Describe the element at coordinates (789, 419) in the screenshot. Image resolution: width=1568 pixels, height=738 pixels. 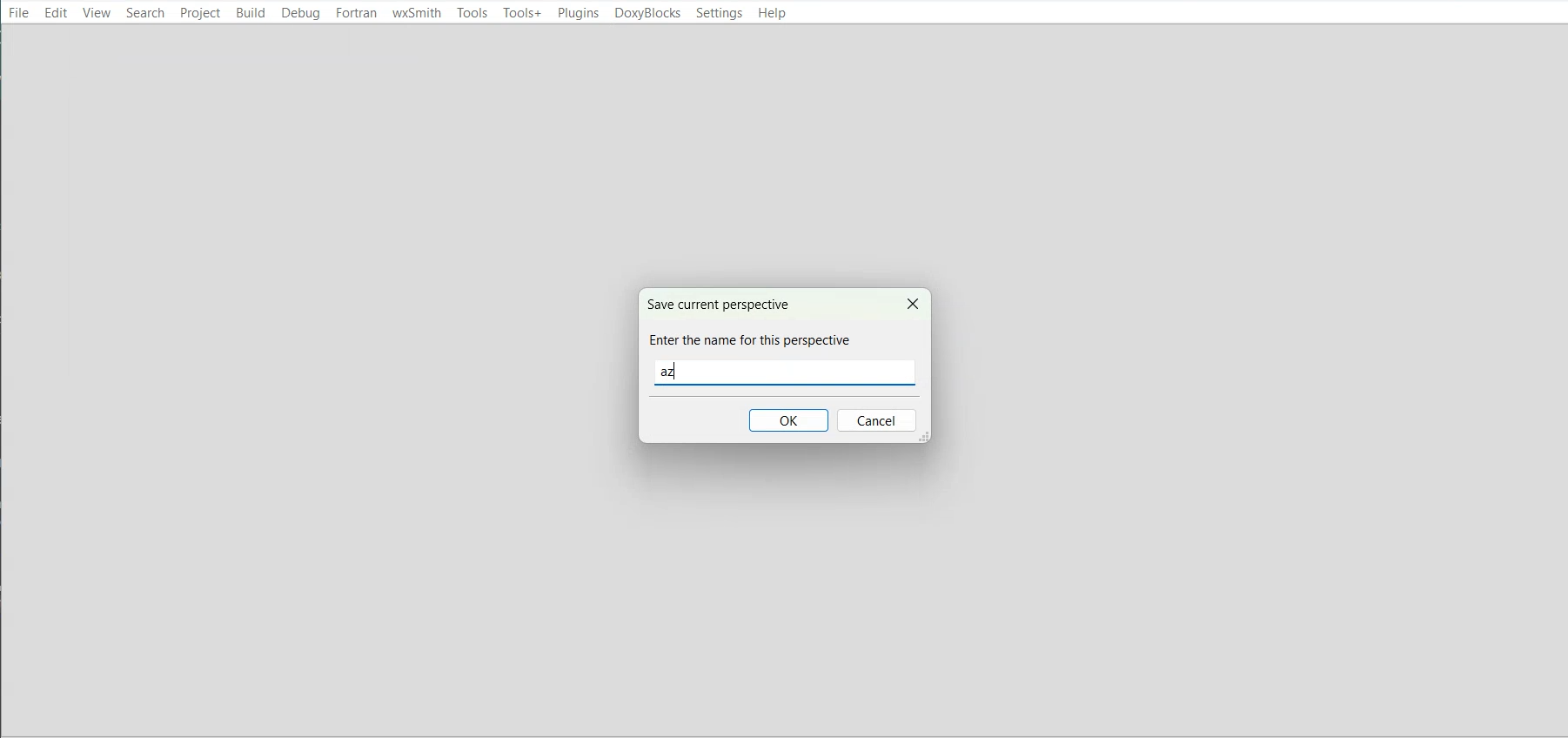
I see `OK` at that location.